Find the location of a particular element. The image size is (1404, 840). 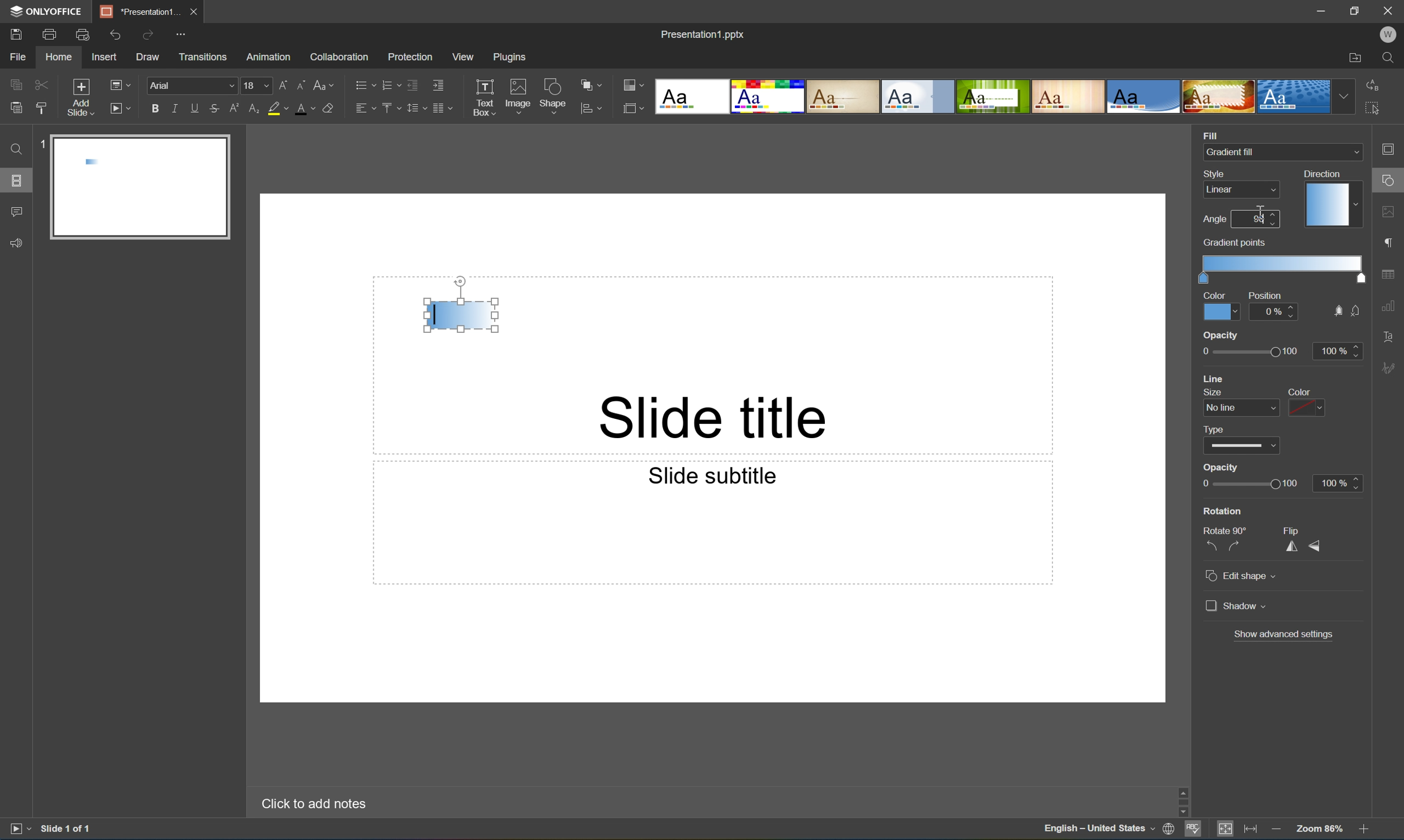

Save is located at coordinates (14, 33).